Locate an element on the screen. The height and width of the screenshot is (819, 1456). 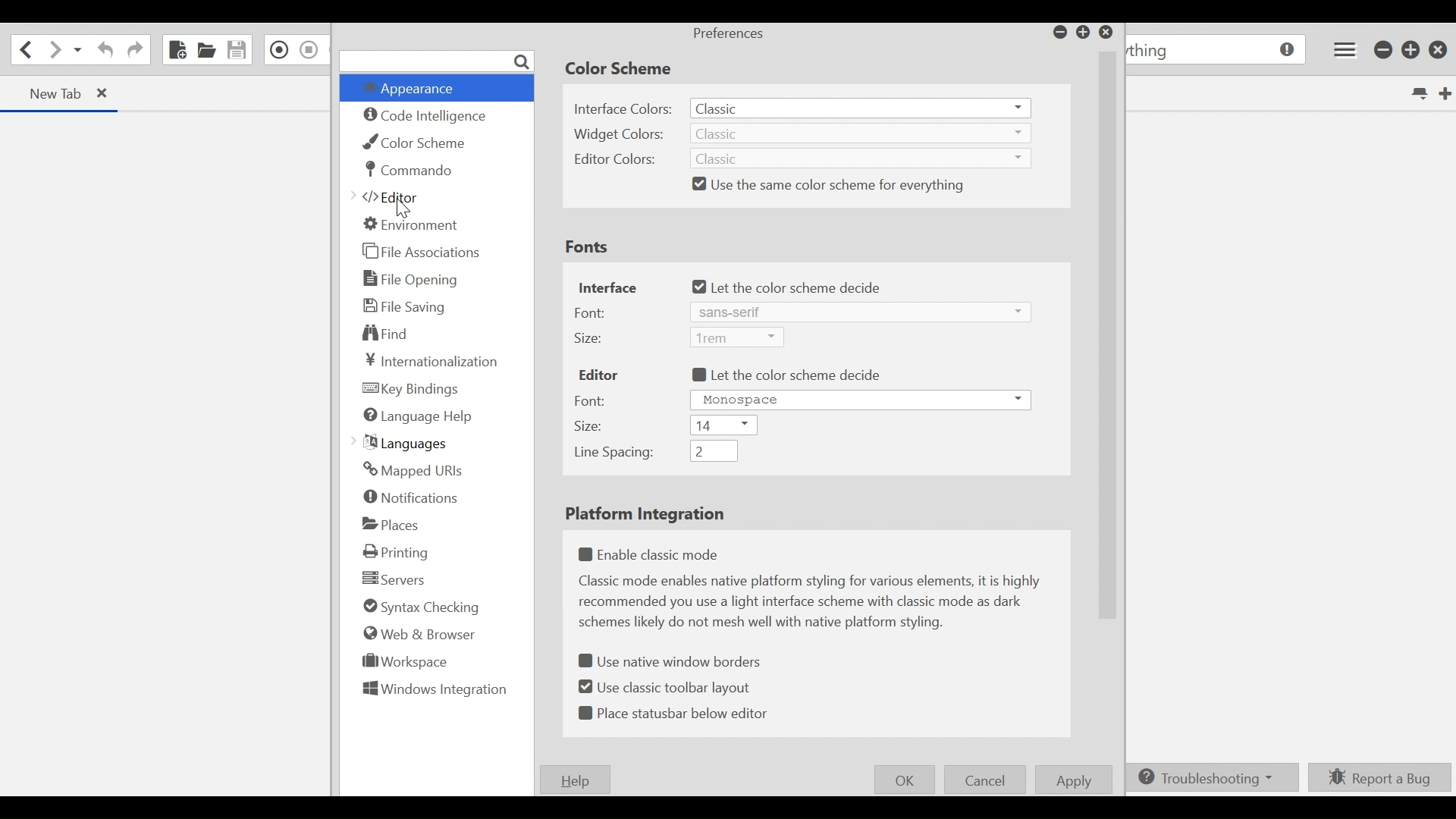
Language Help is located at coordinates (418, 416).